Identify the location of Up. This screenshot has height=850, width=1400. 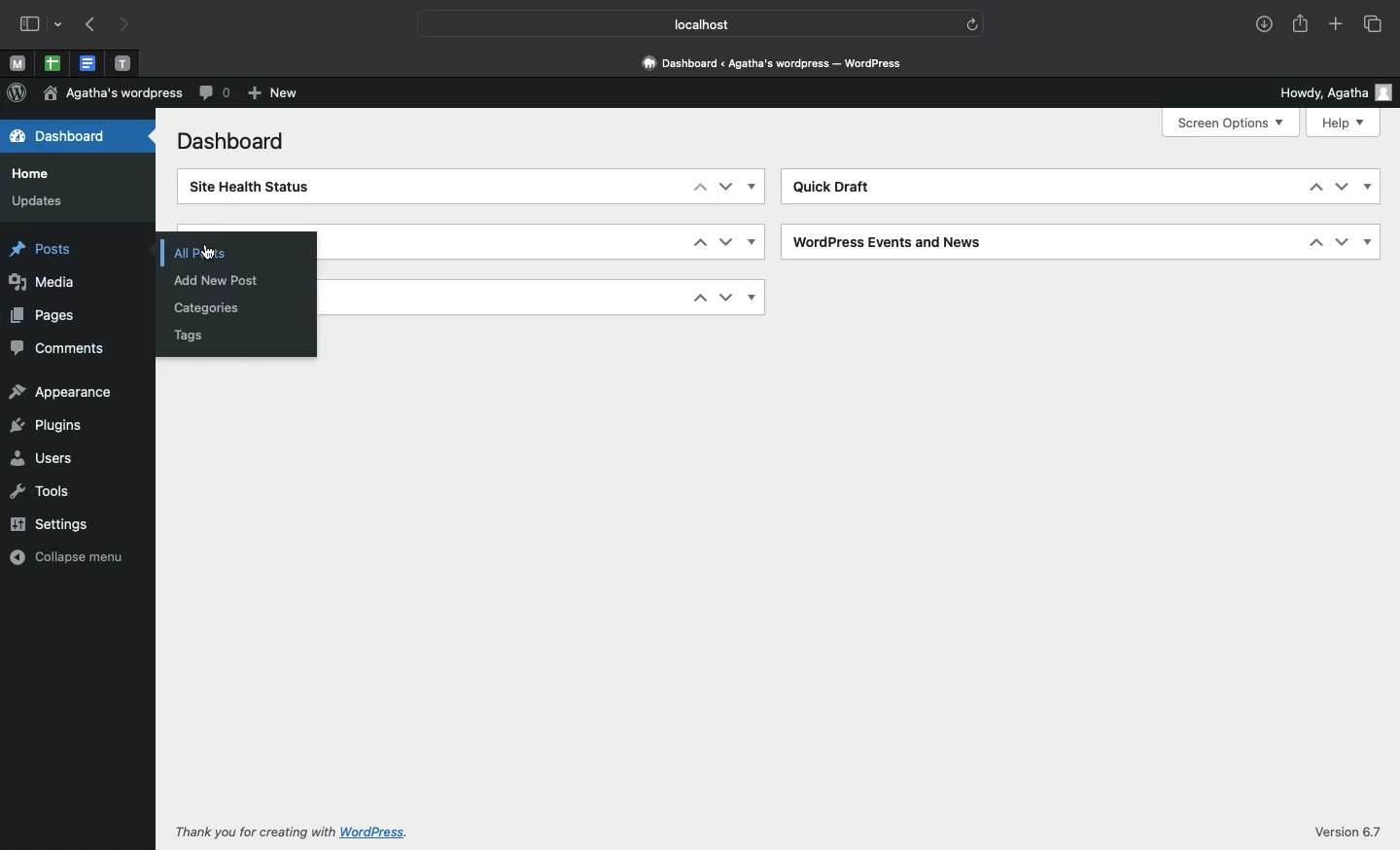
(1316, 187).